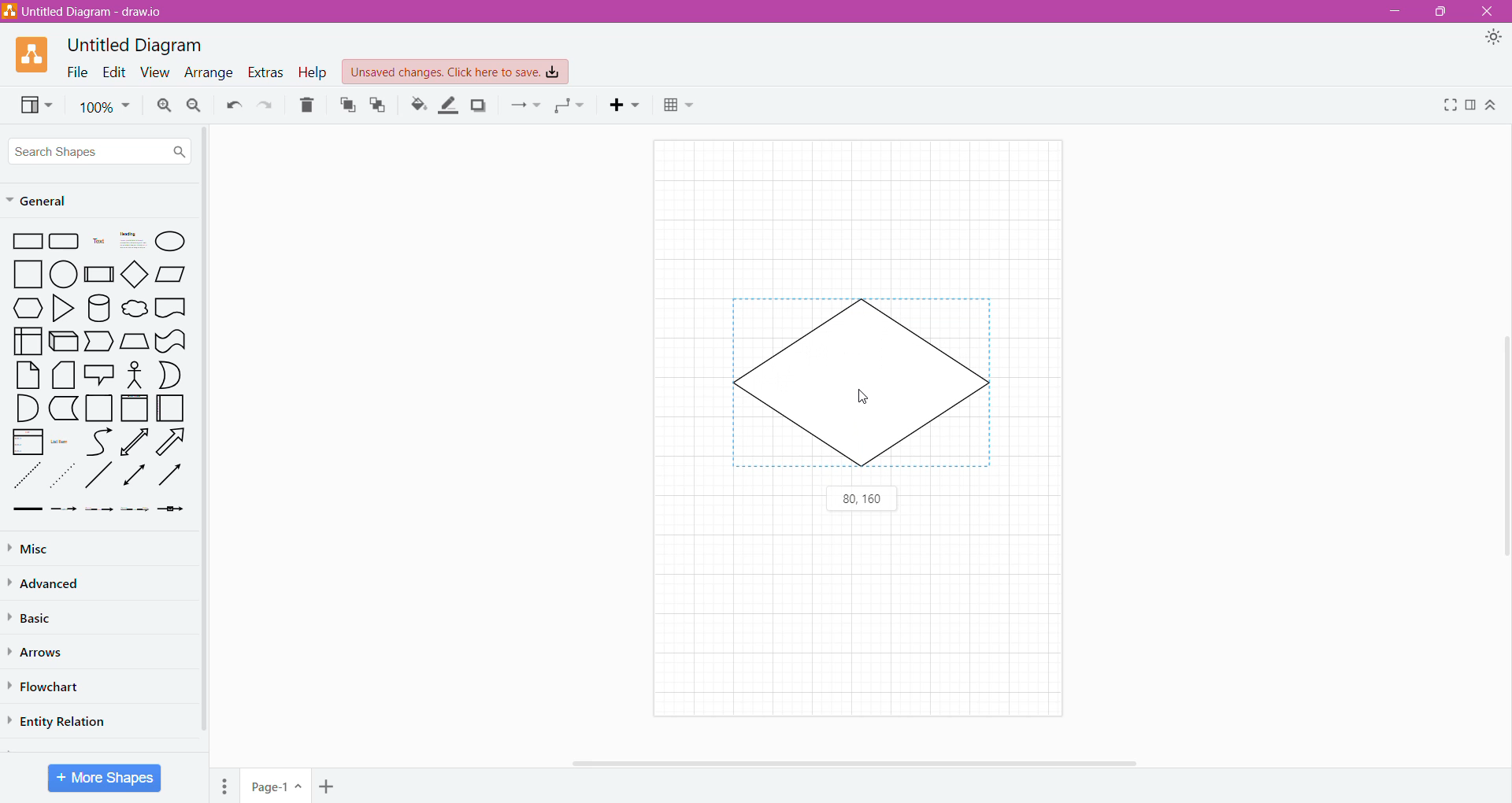 The image size is (1512, 803). What do you see at coordinates (194, 106) in the screenshot?
I see `Zoom Out` at bounding box center [194, 106].